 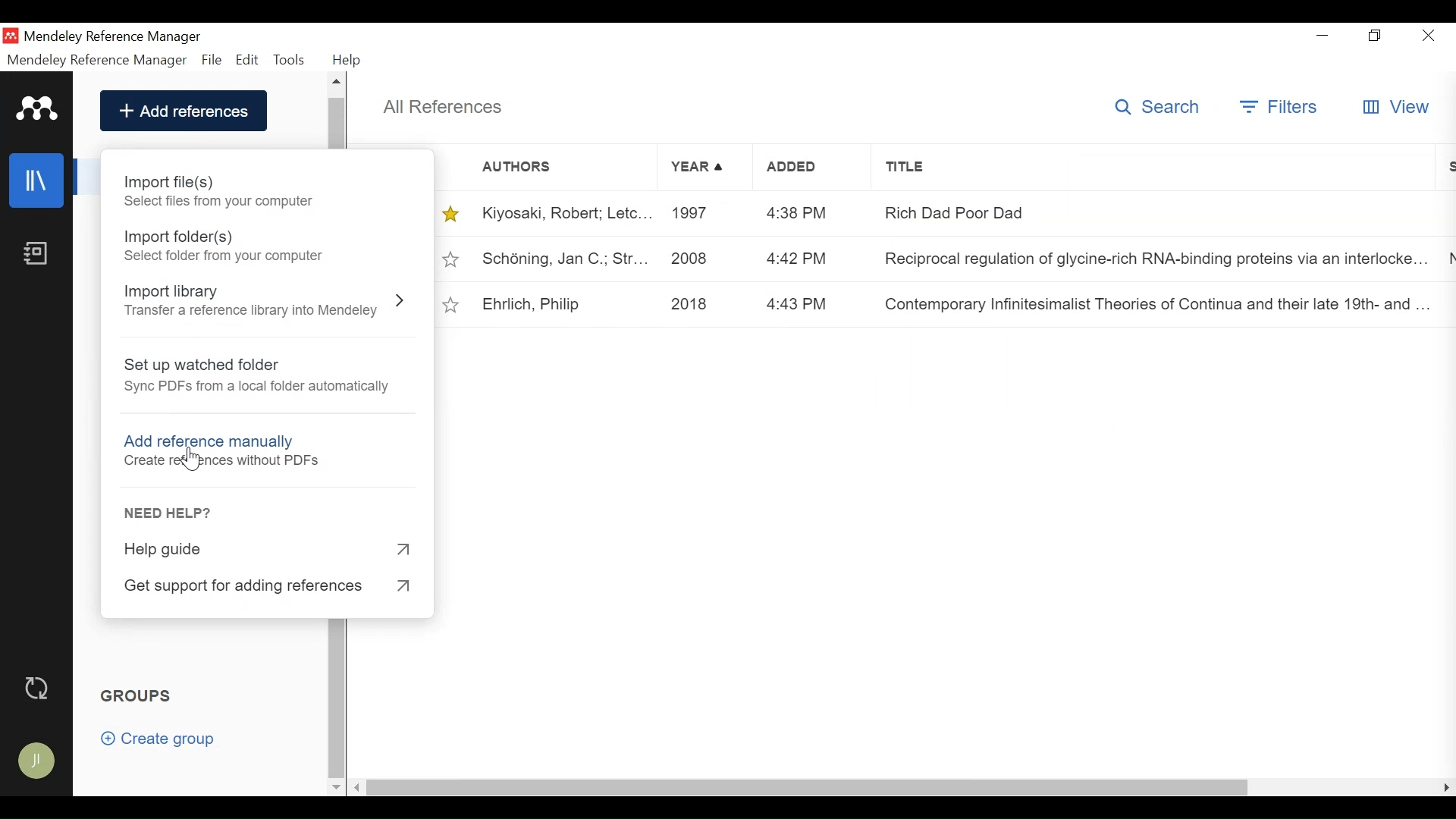 I want to click on Add reference manually, so click(x=249, y=441).